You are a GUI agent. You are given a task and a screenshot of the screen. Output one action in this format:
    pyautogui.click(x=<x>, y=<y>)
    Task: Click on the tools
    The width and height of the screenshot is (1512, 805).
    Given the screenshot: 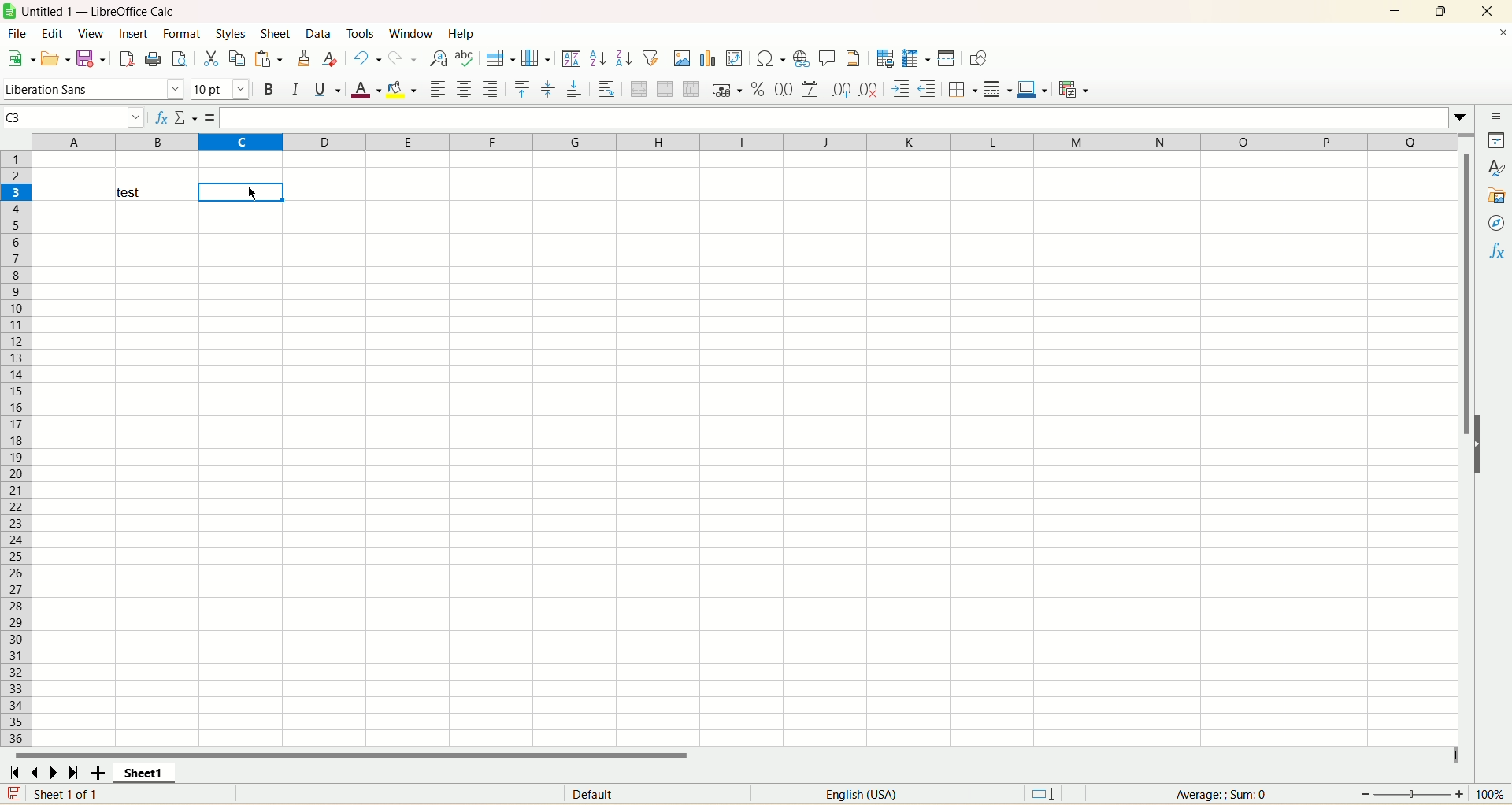 What is the action you would take?
    pyautogui.click(x=363, y=32)
    